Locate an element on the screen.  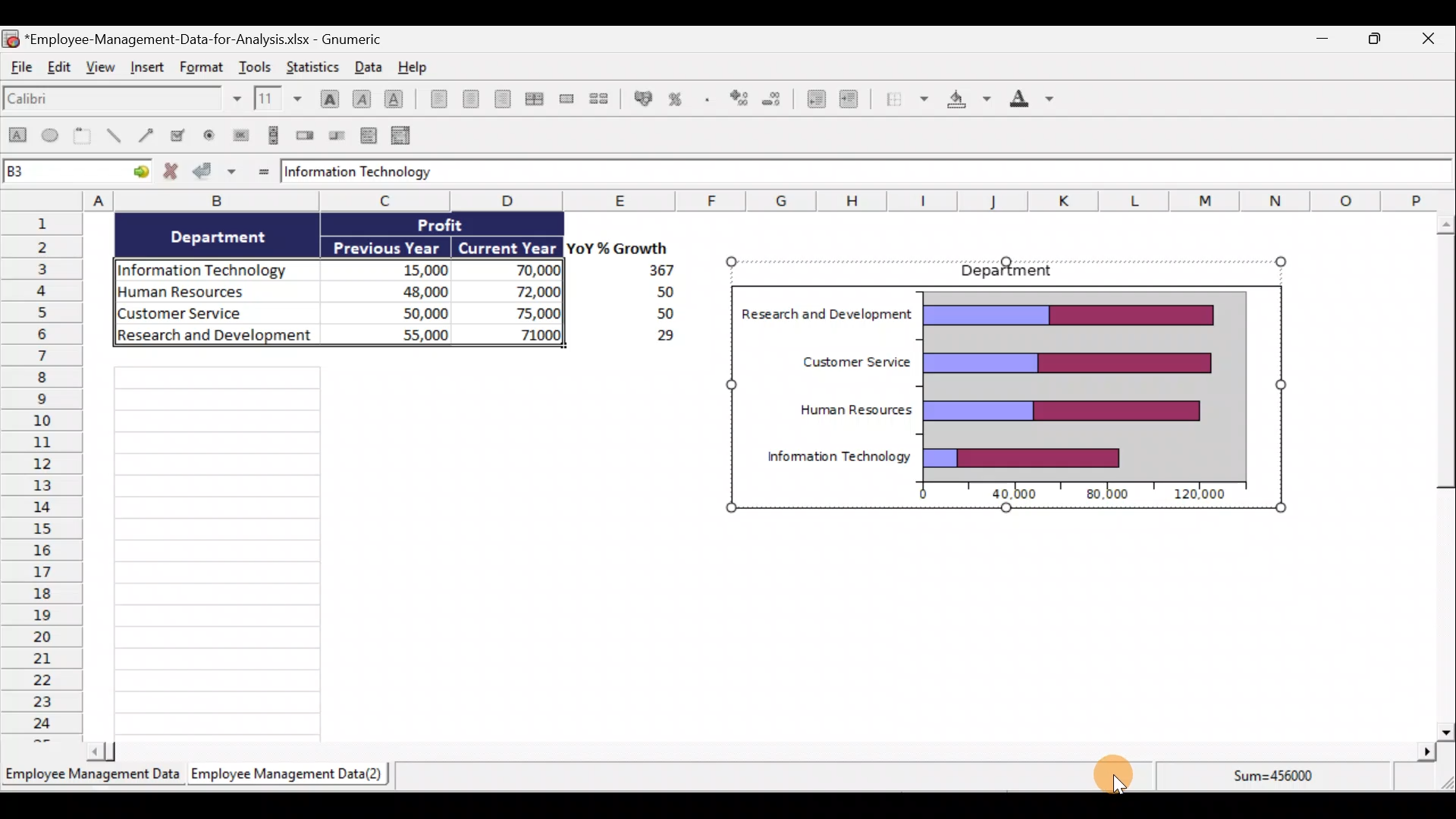
Sum is located at coordinates (1282, 780).